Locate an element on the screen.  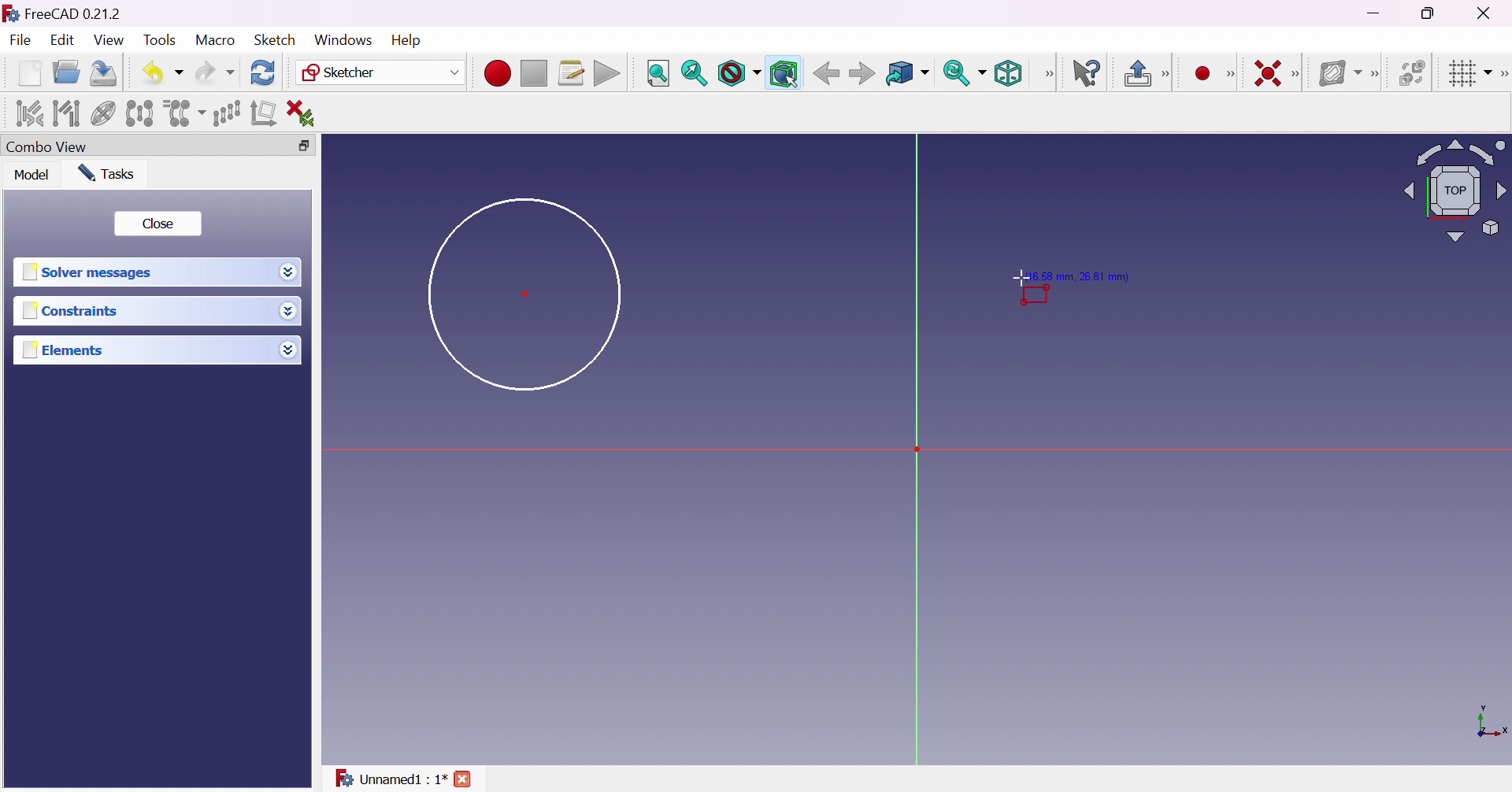
Restore down is located at coordinates (1430, 13).